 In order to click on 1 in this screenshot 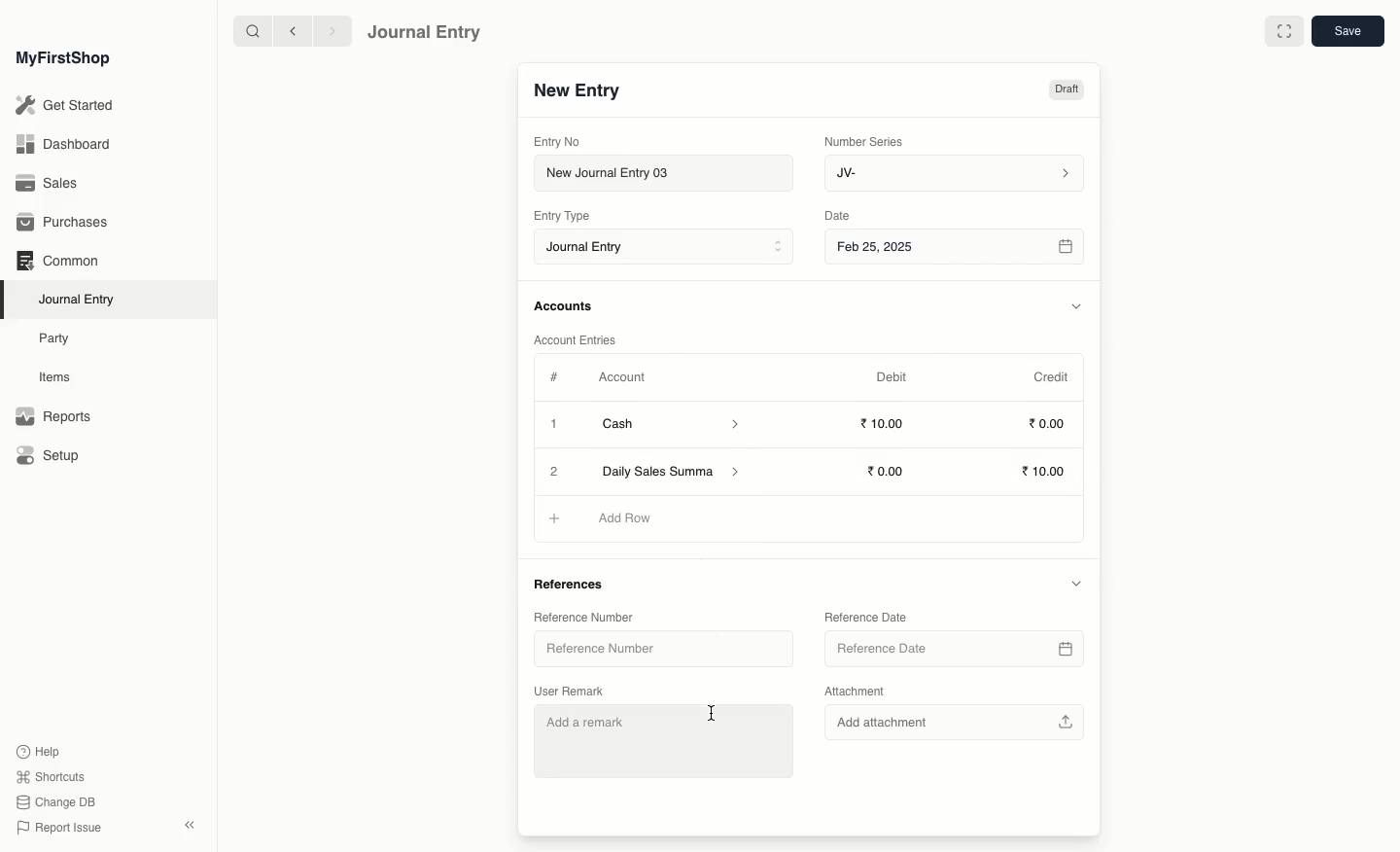, I will do `click(556, 426)`.